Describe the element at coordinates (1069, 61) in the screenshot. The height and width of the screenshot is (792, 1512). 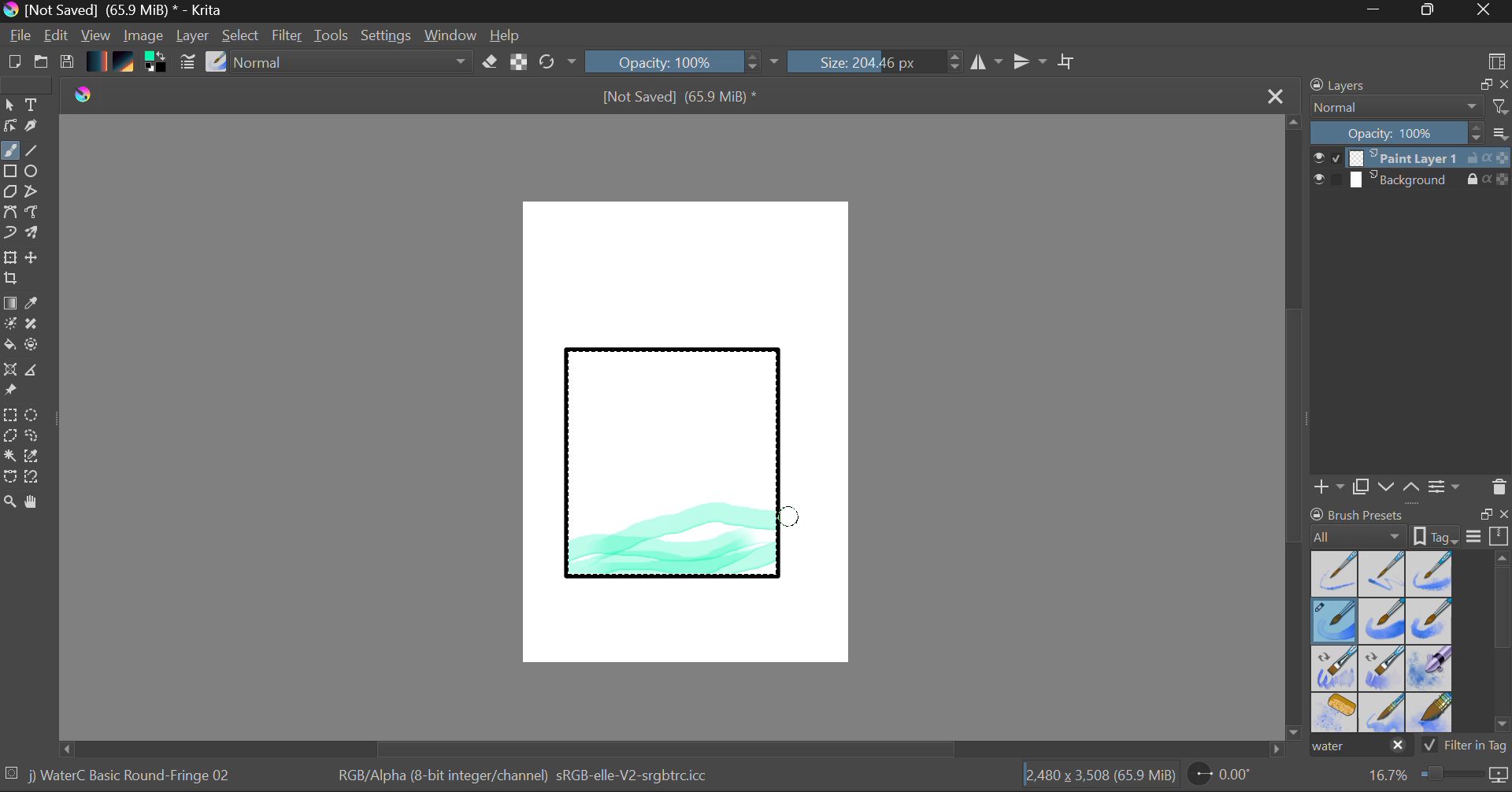
I see `Crop` at that location.